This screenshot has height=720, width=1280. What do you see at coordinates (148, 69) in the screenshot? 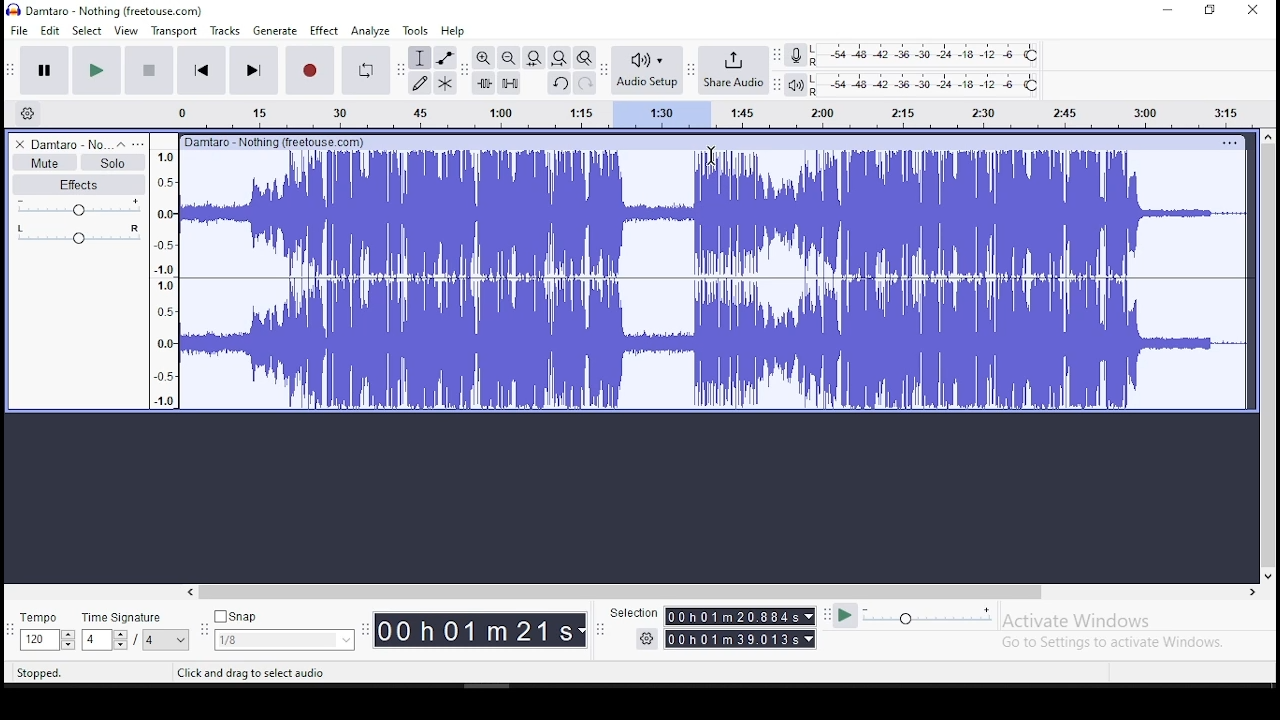
I see `stop` at bounding box center [148, 69].